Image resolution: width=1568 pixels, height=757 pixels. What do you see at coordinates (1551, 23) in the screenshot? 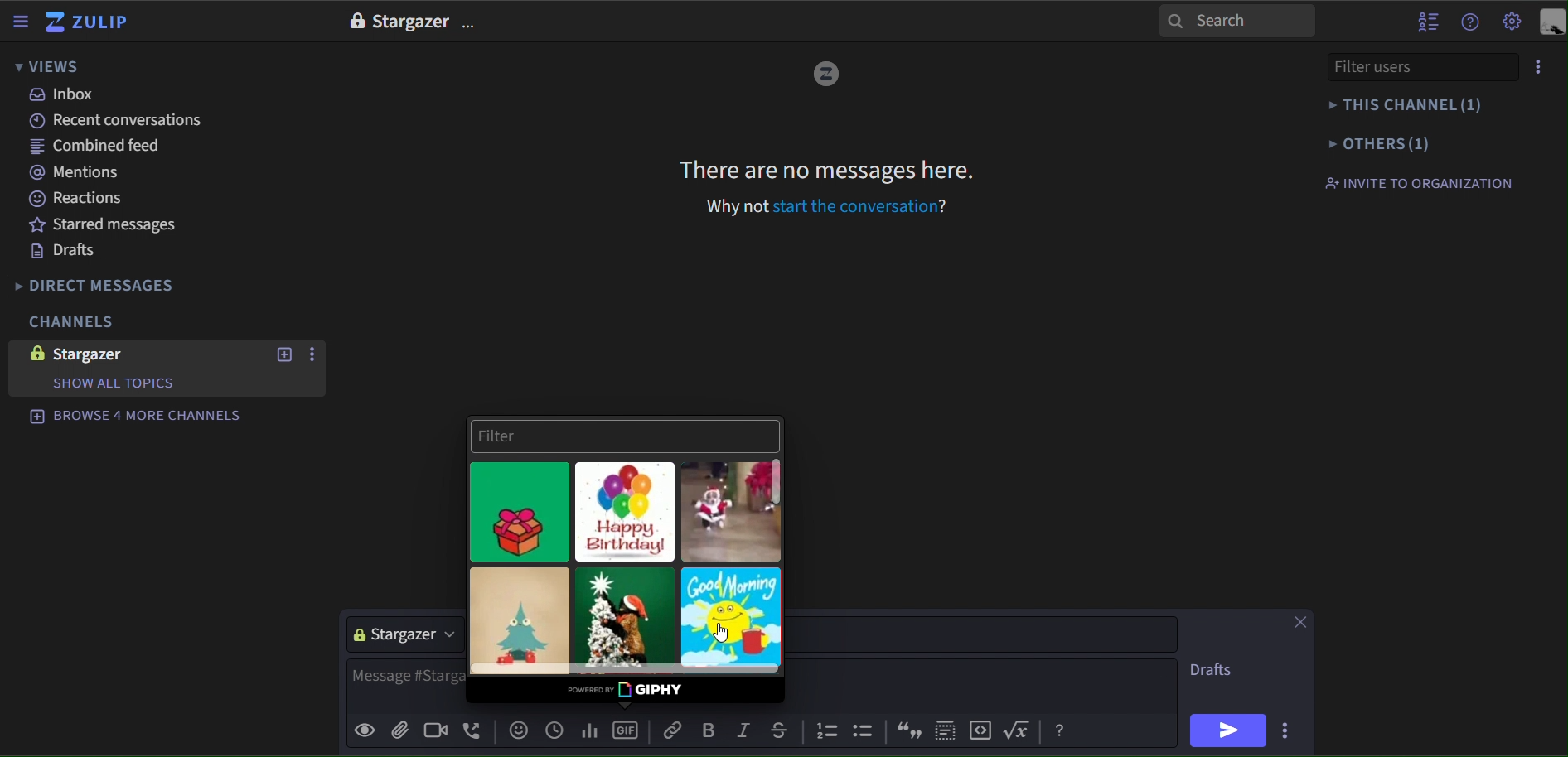
I see `personal menu` at bounding box center [1551, 23].